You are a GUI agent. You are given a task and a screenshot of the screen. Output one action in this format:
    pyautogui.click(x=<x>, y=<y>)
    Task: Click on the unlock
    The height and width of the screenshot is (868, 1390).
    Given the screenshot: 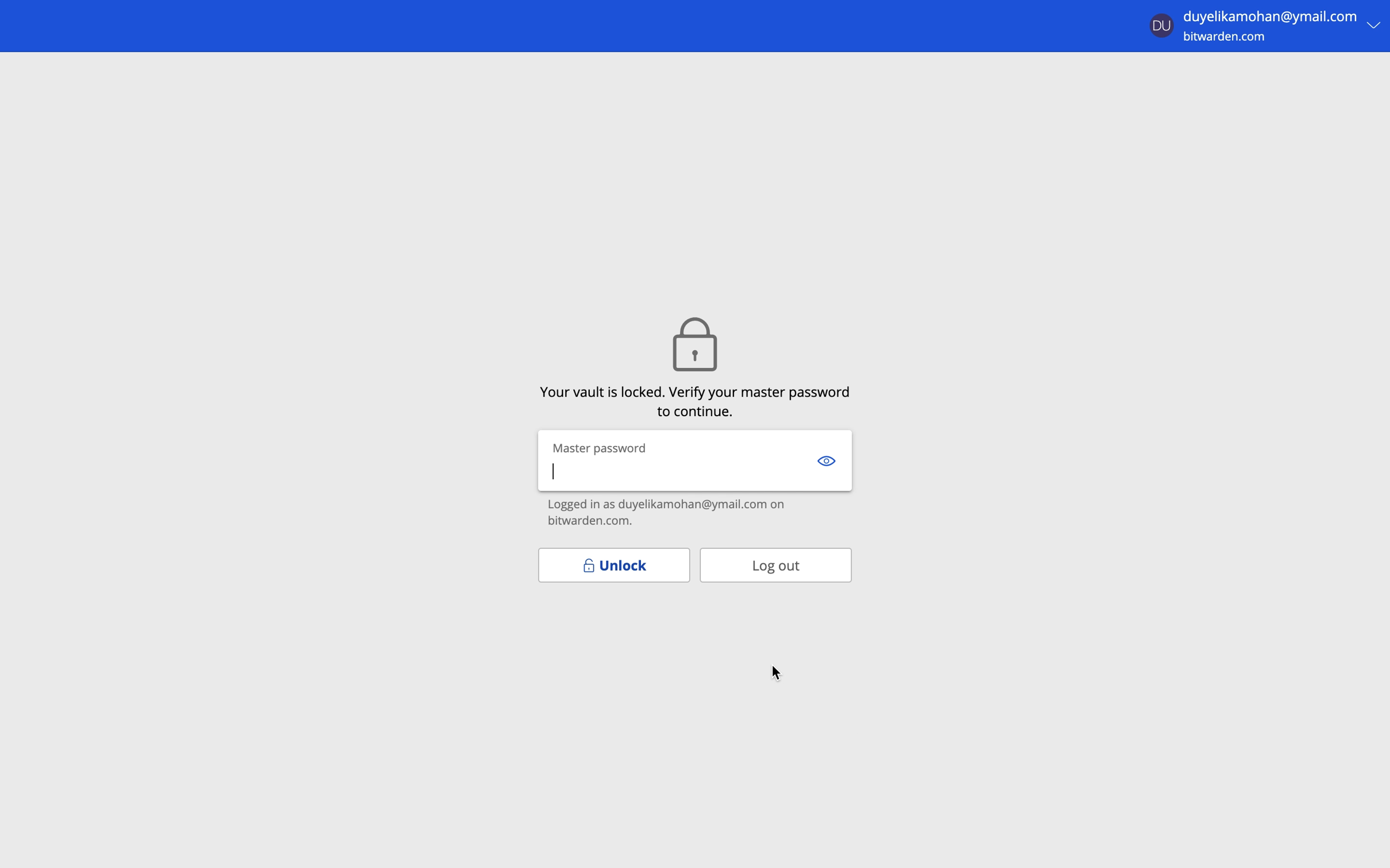 What is the action you would take?
    pyautogui.click(x=613, y=565)
    